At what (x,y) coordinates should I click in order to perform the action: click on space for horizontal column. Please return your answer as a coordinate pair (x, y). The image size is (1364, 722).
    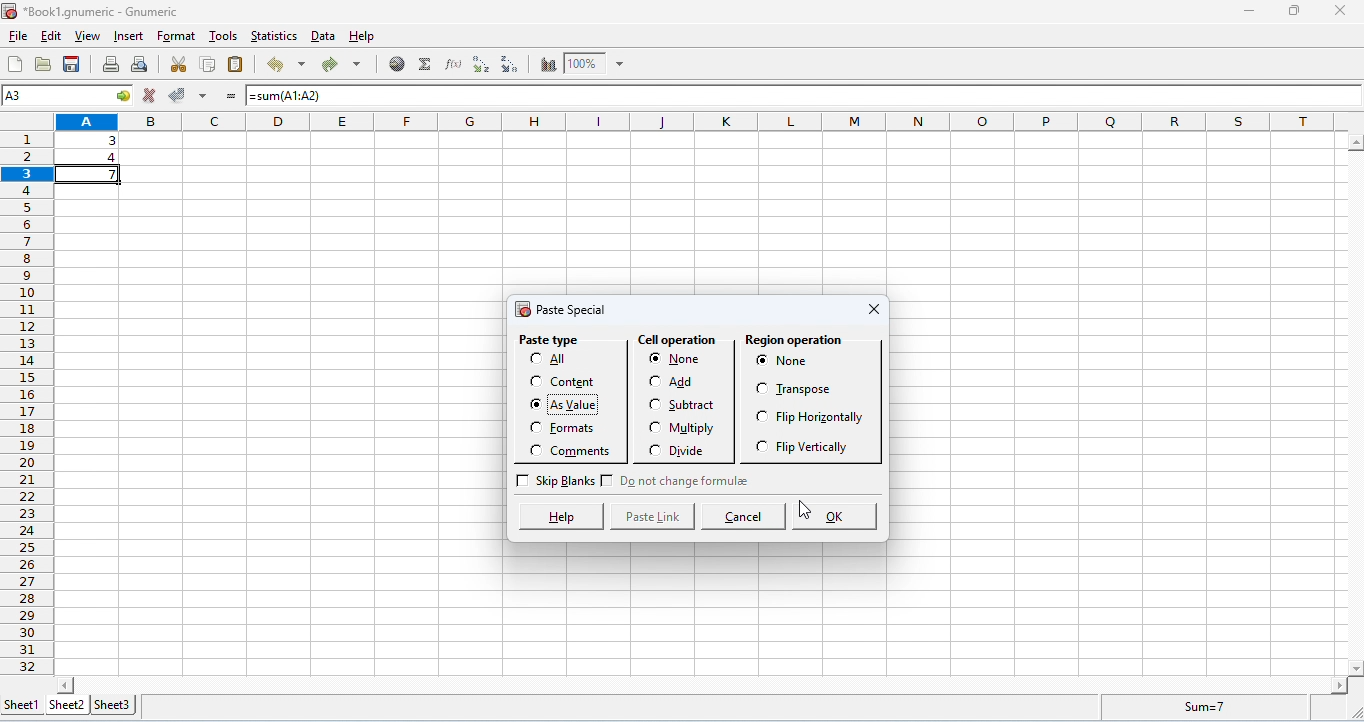
    Looking at the image, I should click on (701, 684).